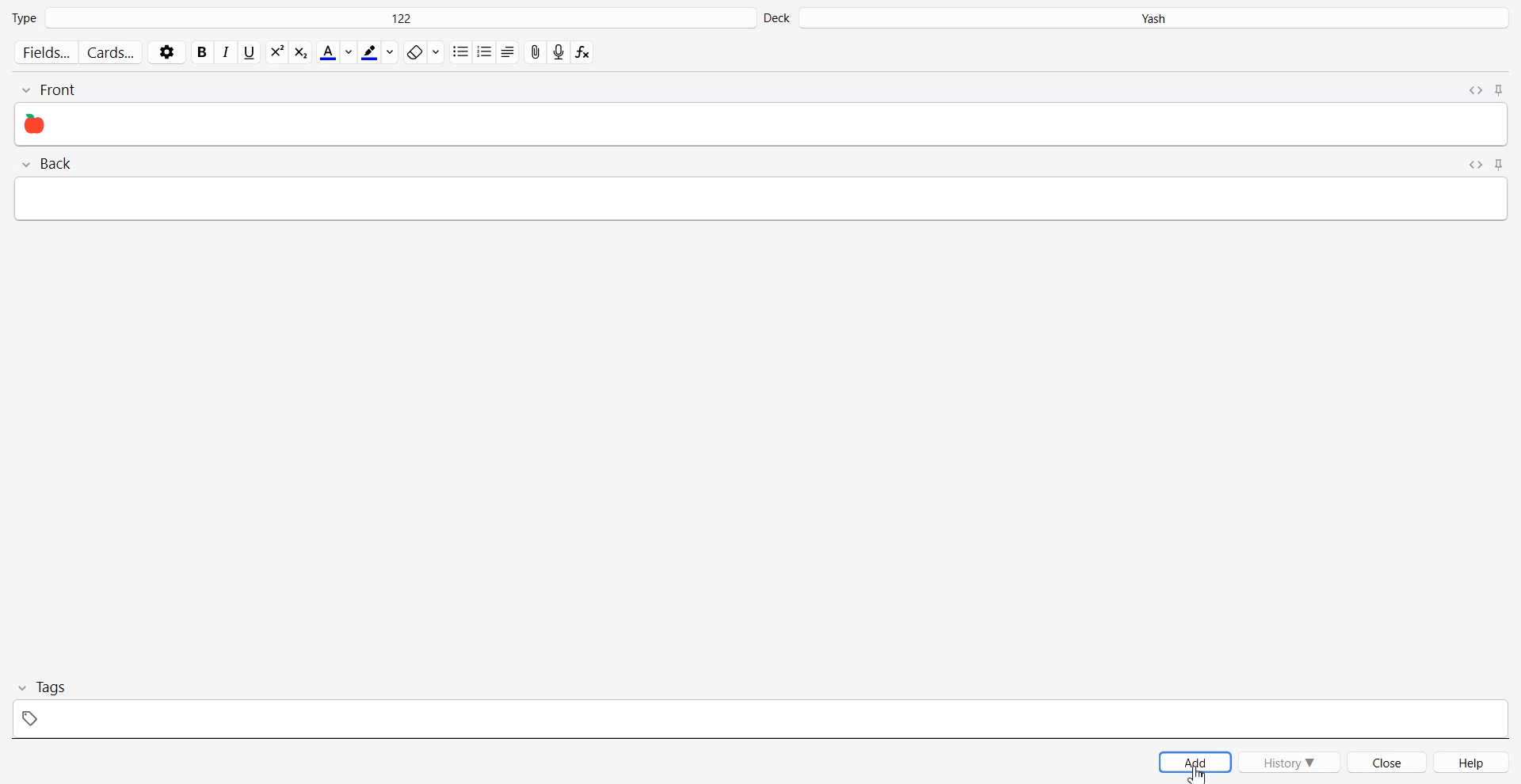 Image resolution: width=1521 pixels, height=784 pixels. Describe the element at coordinates (44, 52) in the screenshot. I see `Fields` at that location.